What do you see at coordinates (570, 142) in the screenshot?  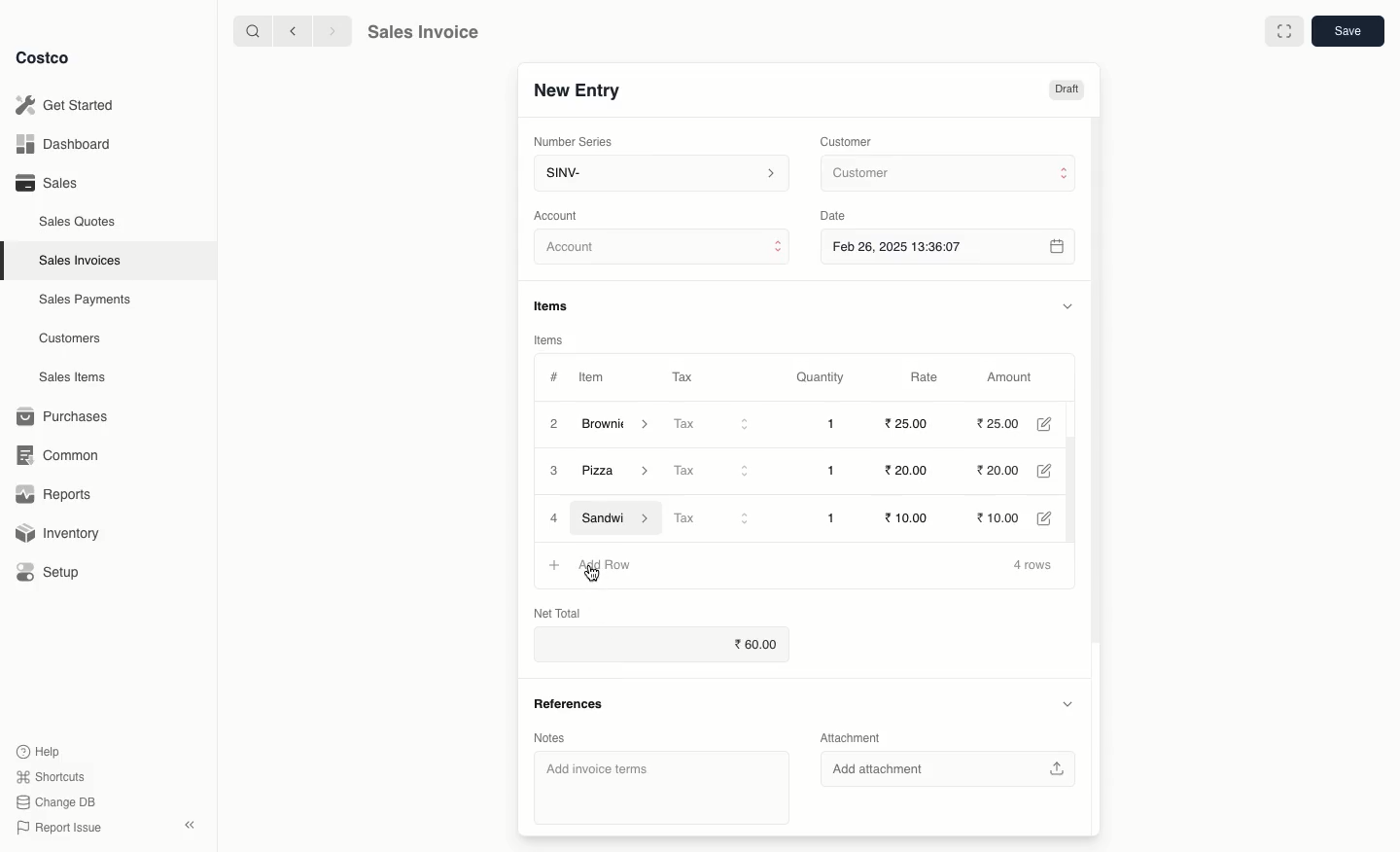 I see `‘Number Series` at bounding box center [570, 142].